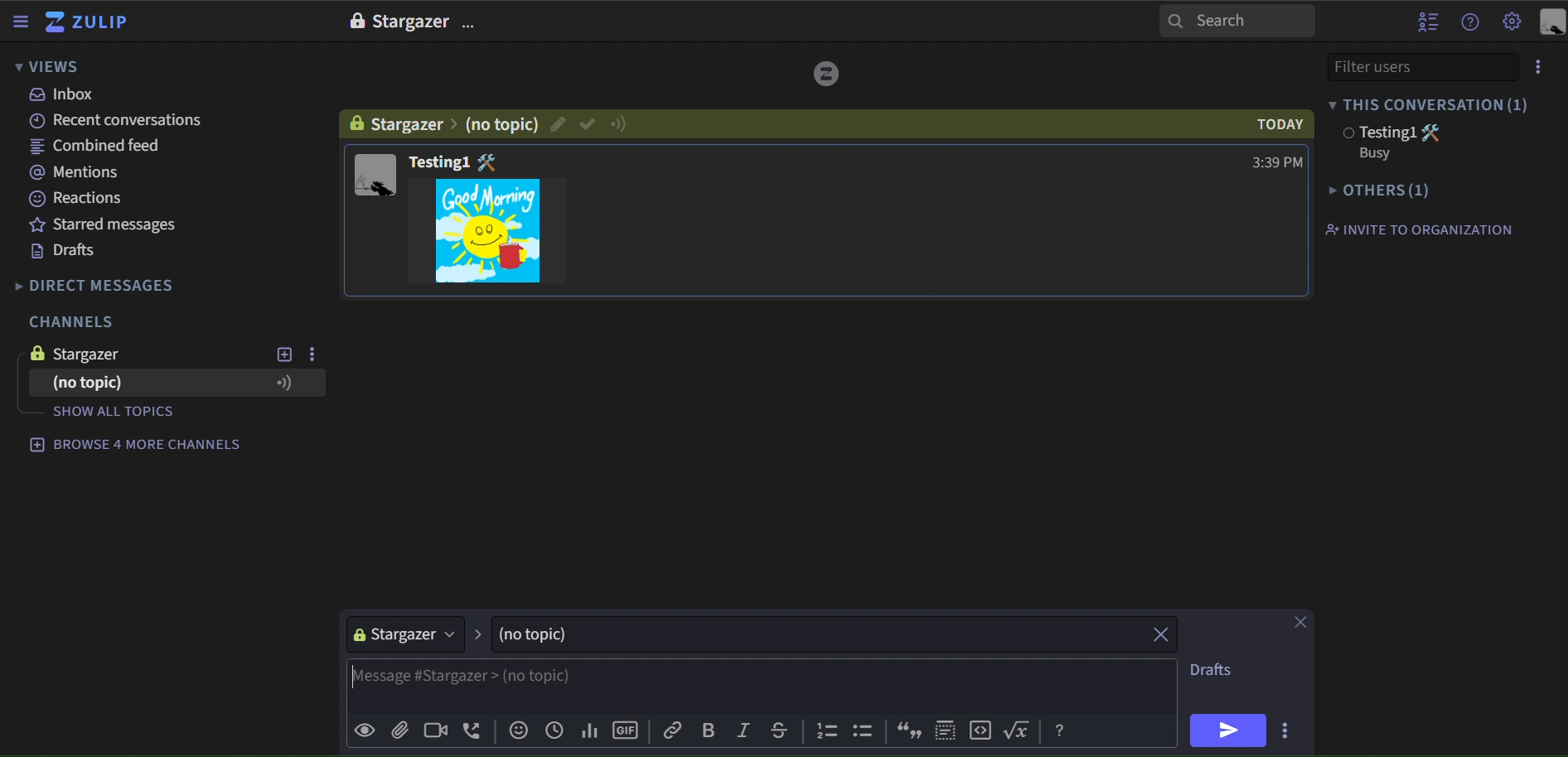  What do you see at coordinates (90, 23) in the screenshot?
I see `zulip` at bounding box center [90, 23].